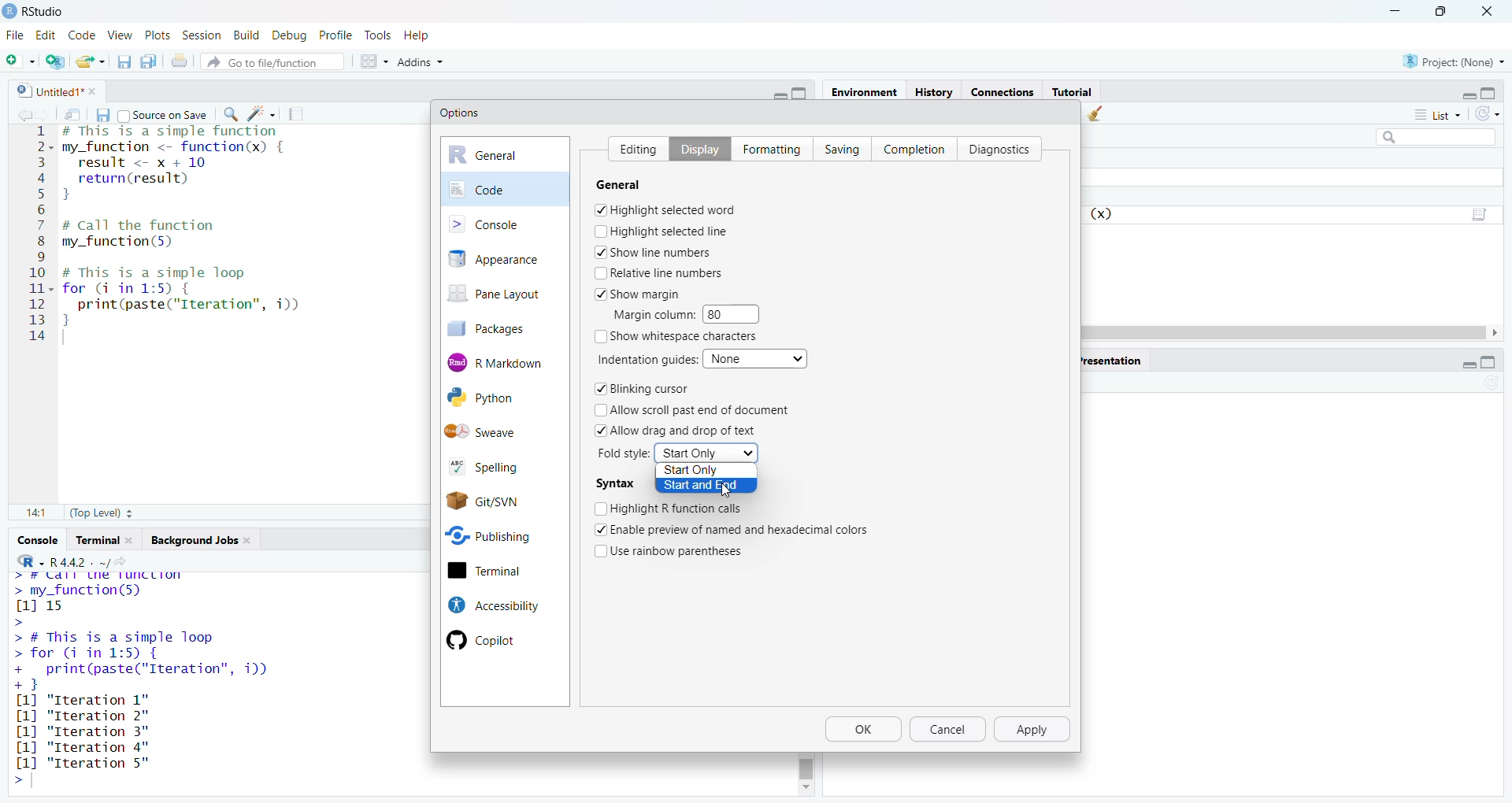  I want to click on [1] "Iteration 1", so click(91, 700).